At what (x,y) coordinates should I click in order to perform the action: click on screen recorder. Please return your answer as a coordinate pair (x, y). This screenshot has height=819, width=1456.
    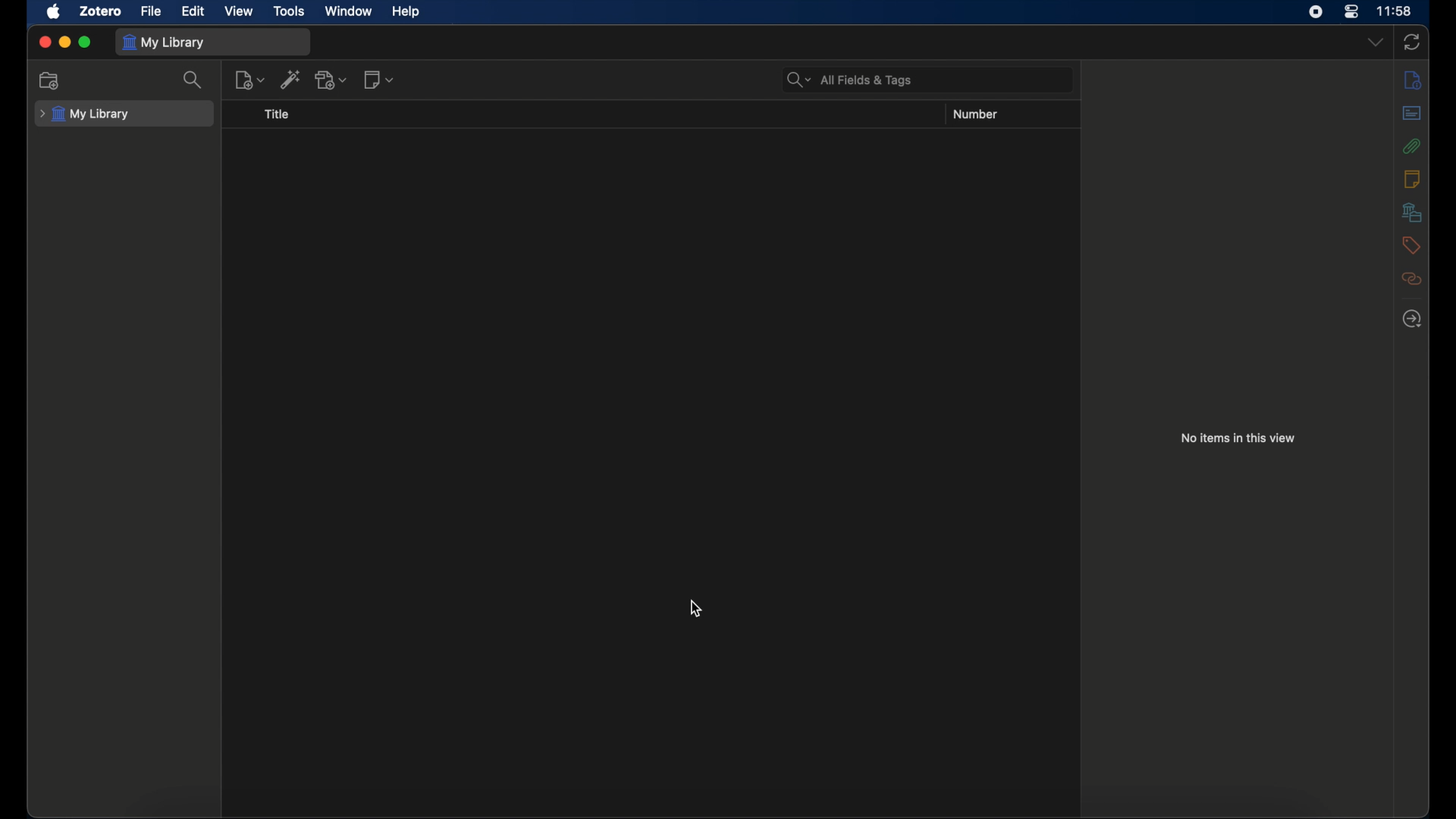
    Looking at the image, I should click on (1316, 11).